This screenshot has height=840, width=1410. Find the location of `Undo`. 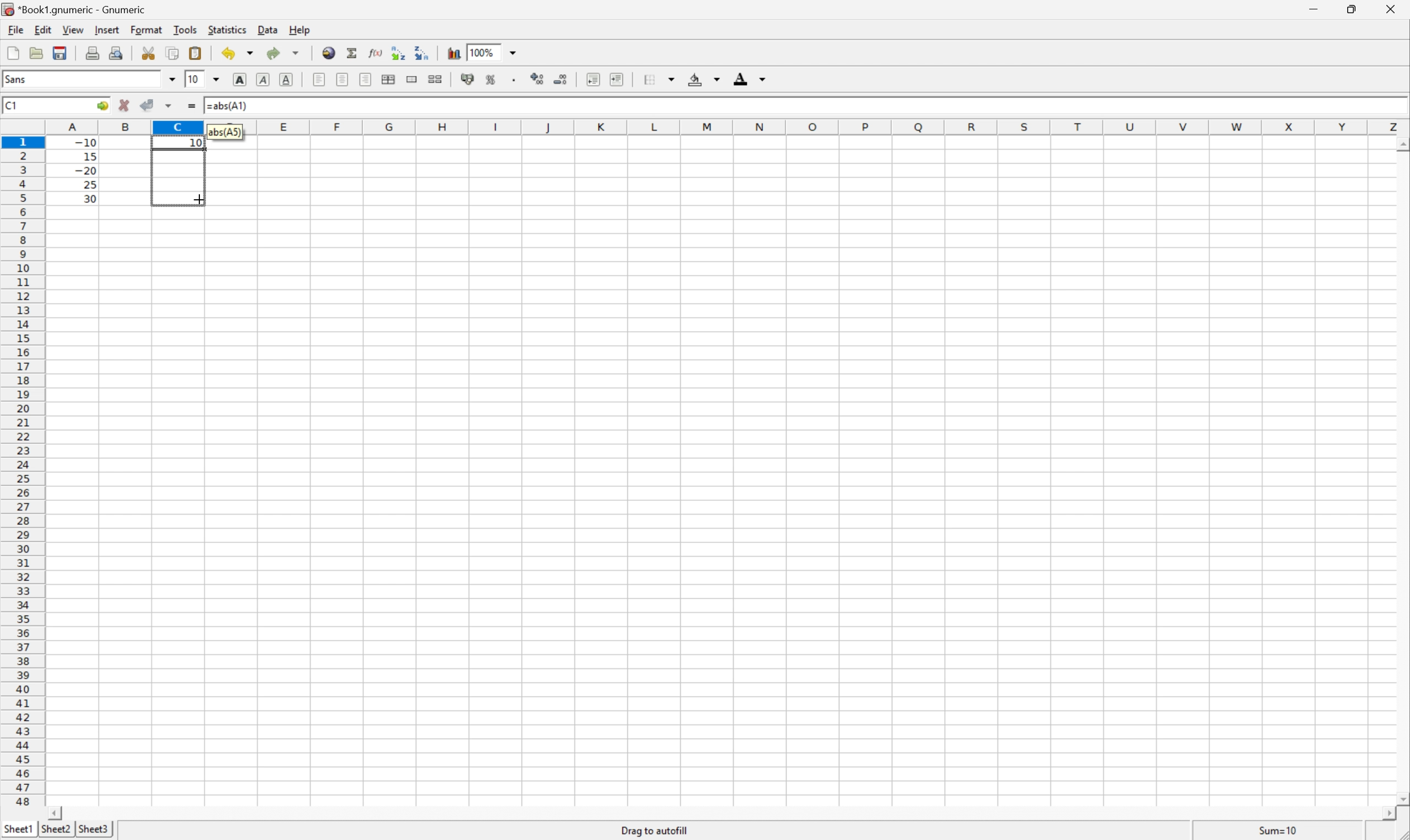

Undo is located at coordinates (239, 53).